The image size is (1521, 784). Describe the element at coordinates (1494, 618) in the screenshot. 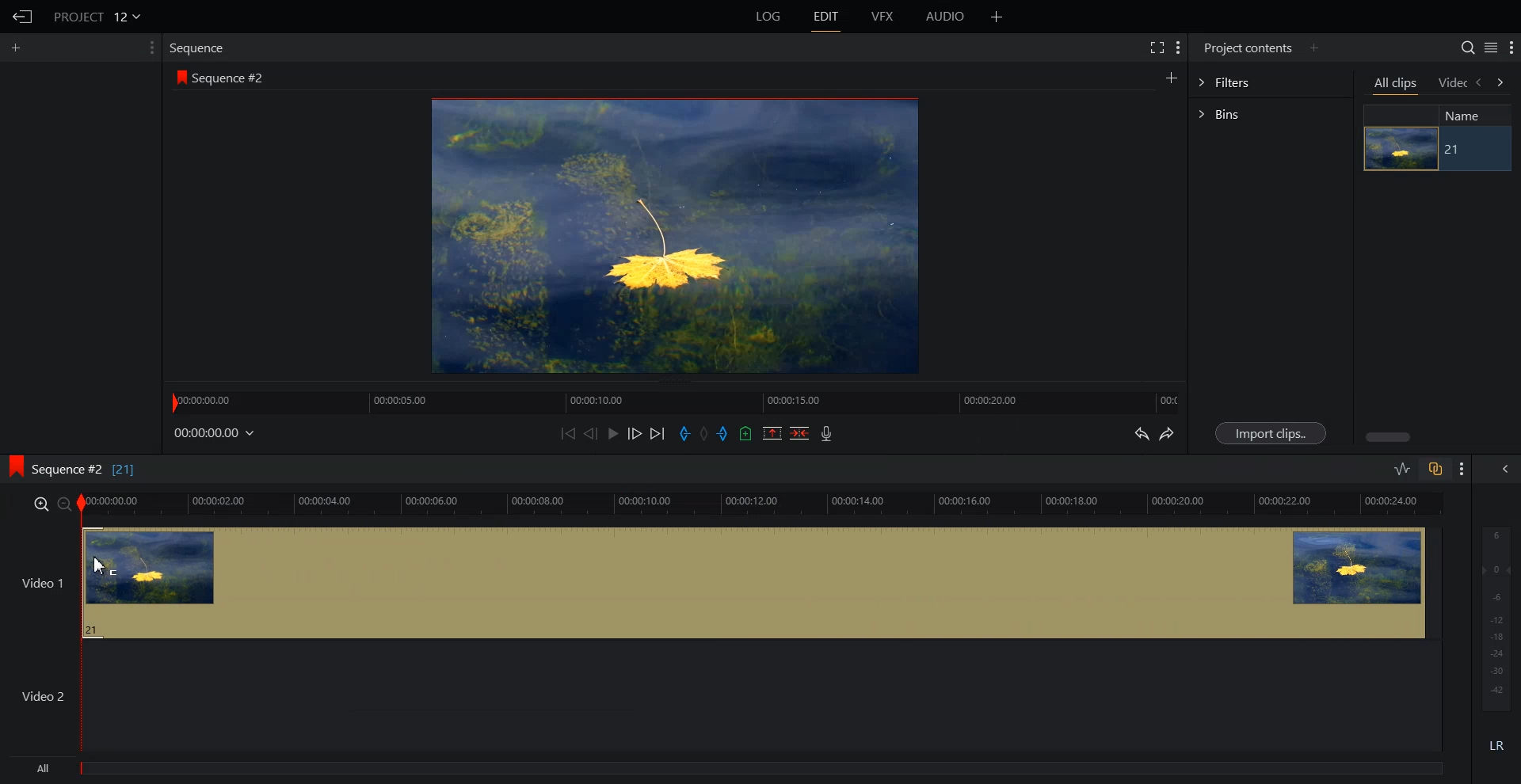

I see `Audio Output level` at that location.